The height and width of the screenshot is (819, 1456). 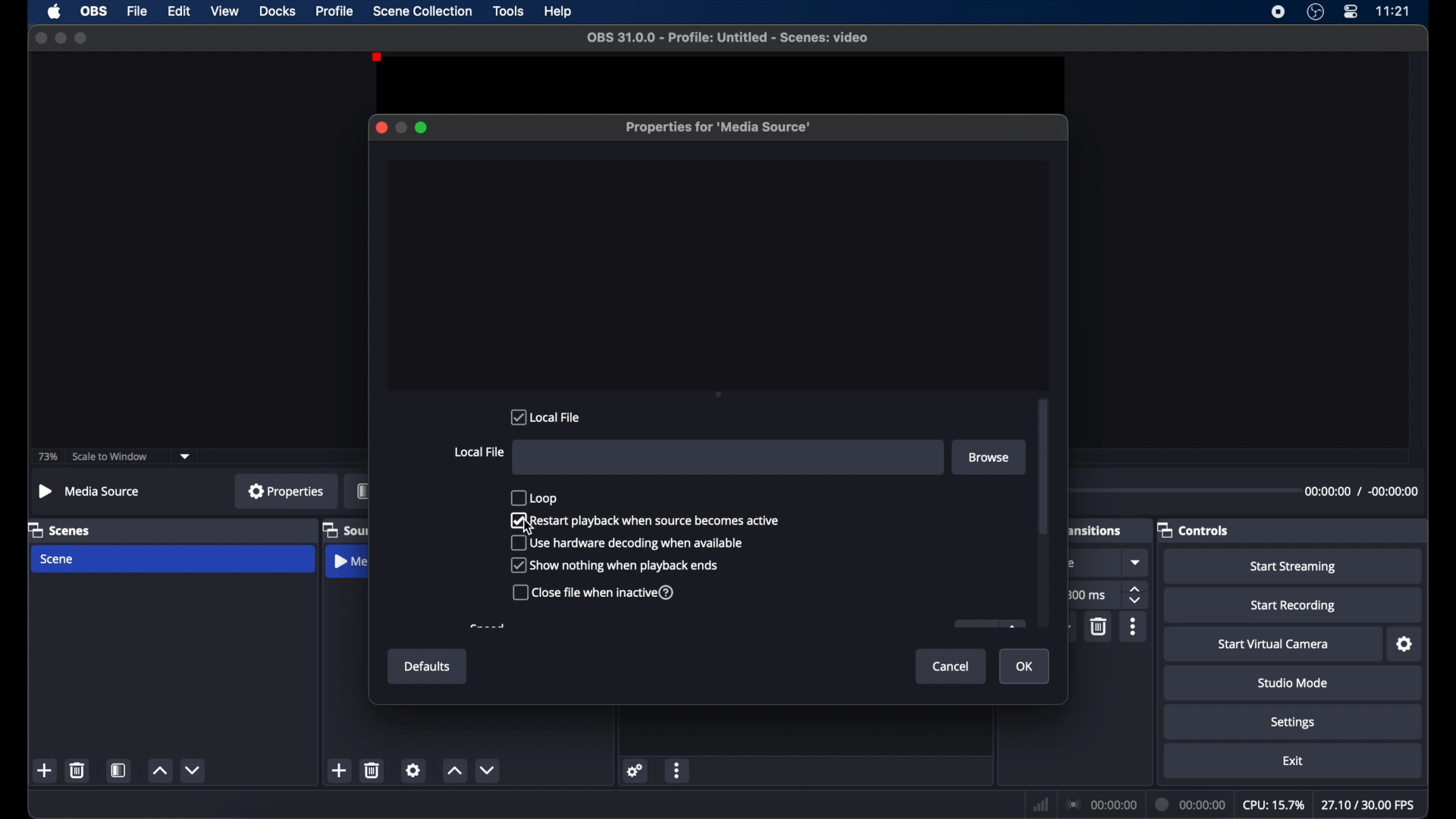 I want to click on settings, so click(x=414, y=770).